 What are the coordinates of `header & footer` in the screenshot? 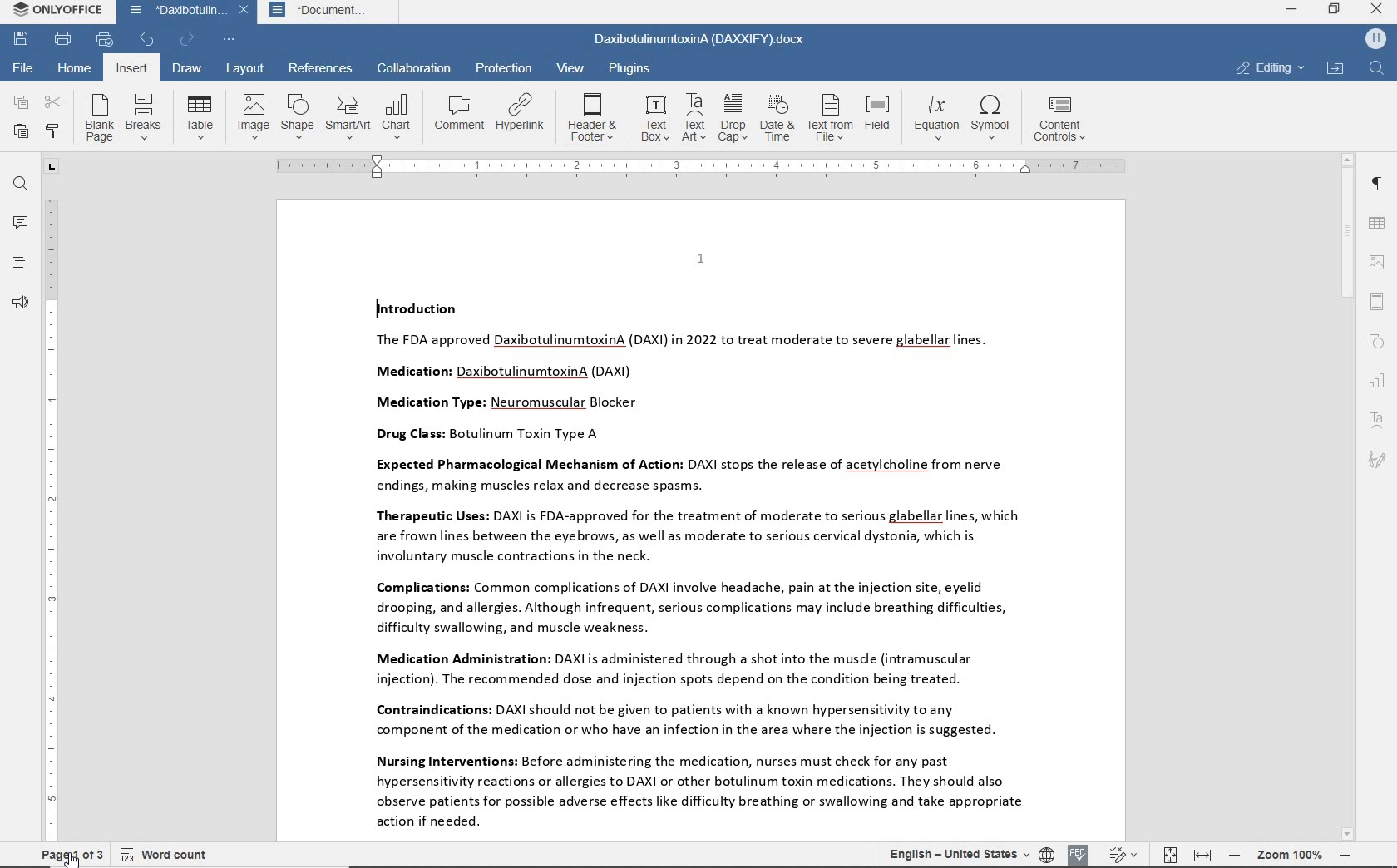 It's located at (1376, 303).